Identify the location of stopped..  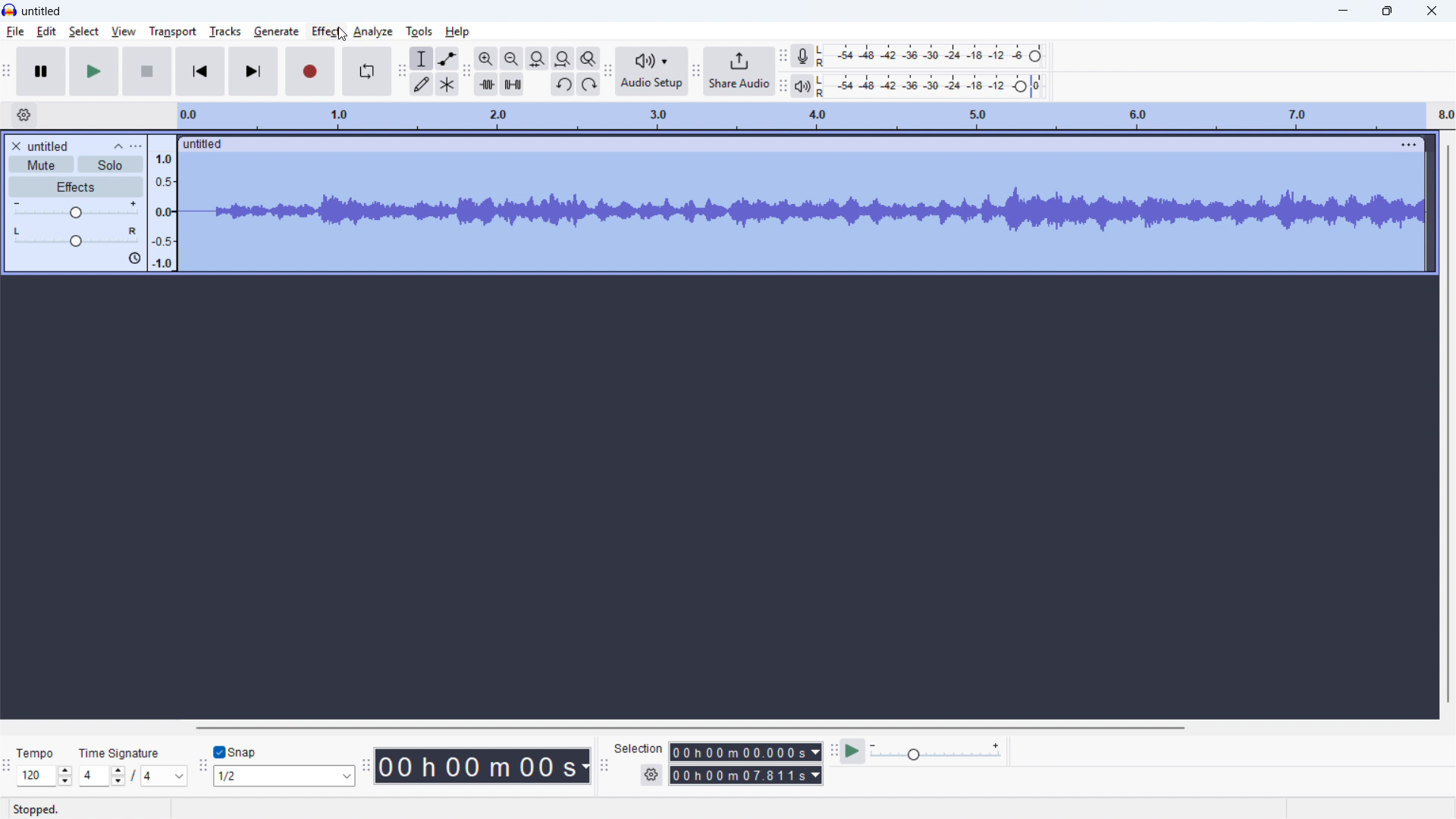
(36, 810).